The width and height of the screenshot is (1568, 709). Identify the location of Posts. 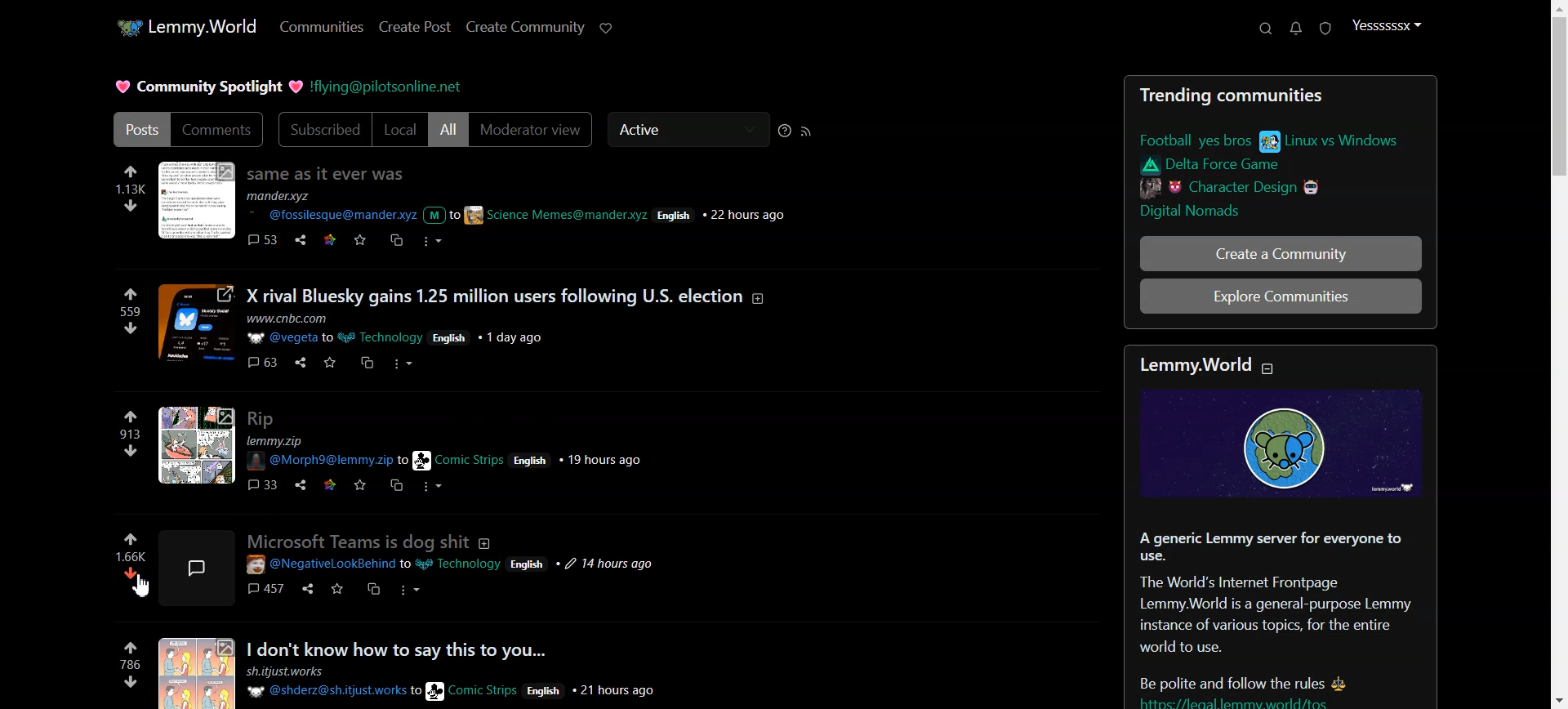
(1281, 156).